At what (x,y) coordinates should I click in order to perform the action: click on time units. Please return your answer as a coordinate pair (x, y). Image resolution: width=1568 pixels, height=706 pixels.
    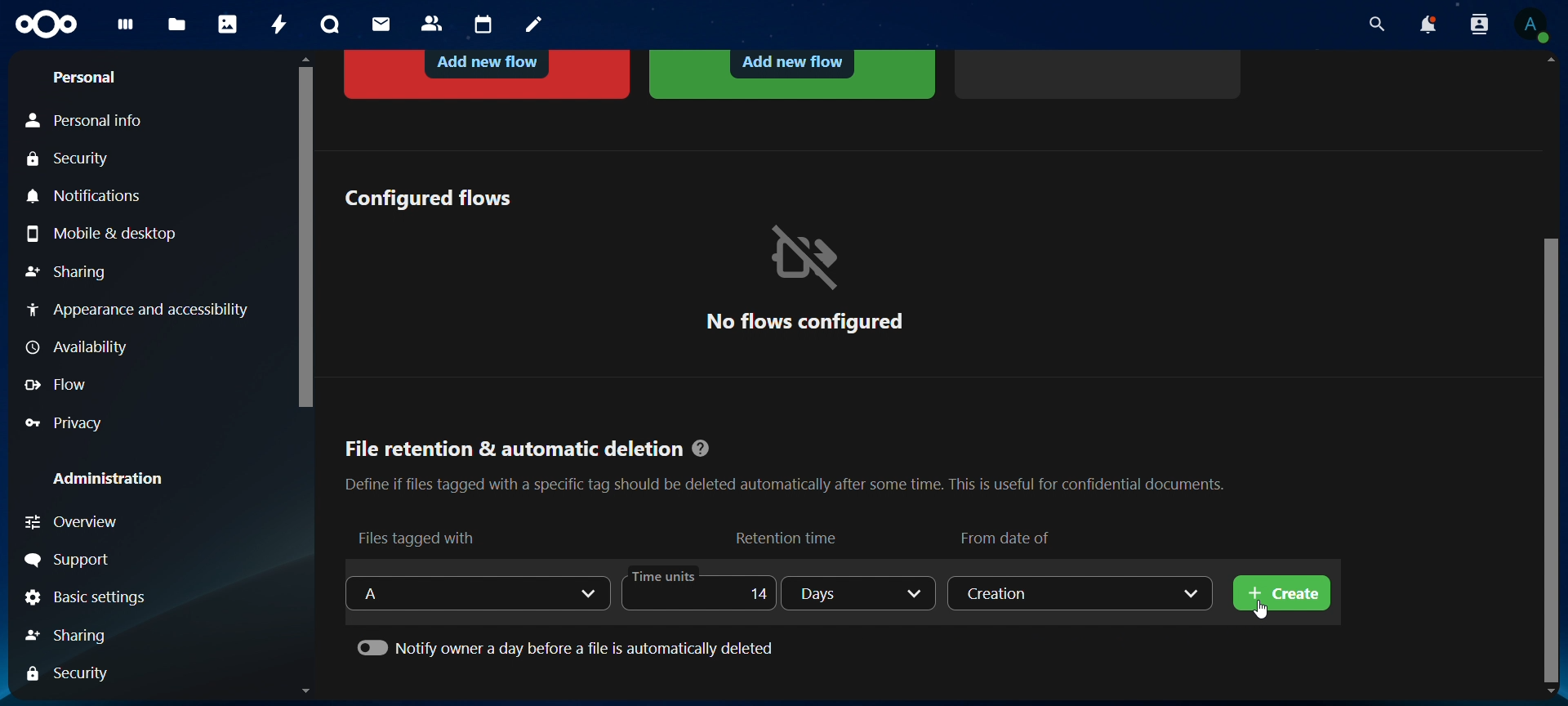
    Looking at the image, I should click on (694, 591).